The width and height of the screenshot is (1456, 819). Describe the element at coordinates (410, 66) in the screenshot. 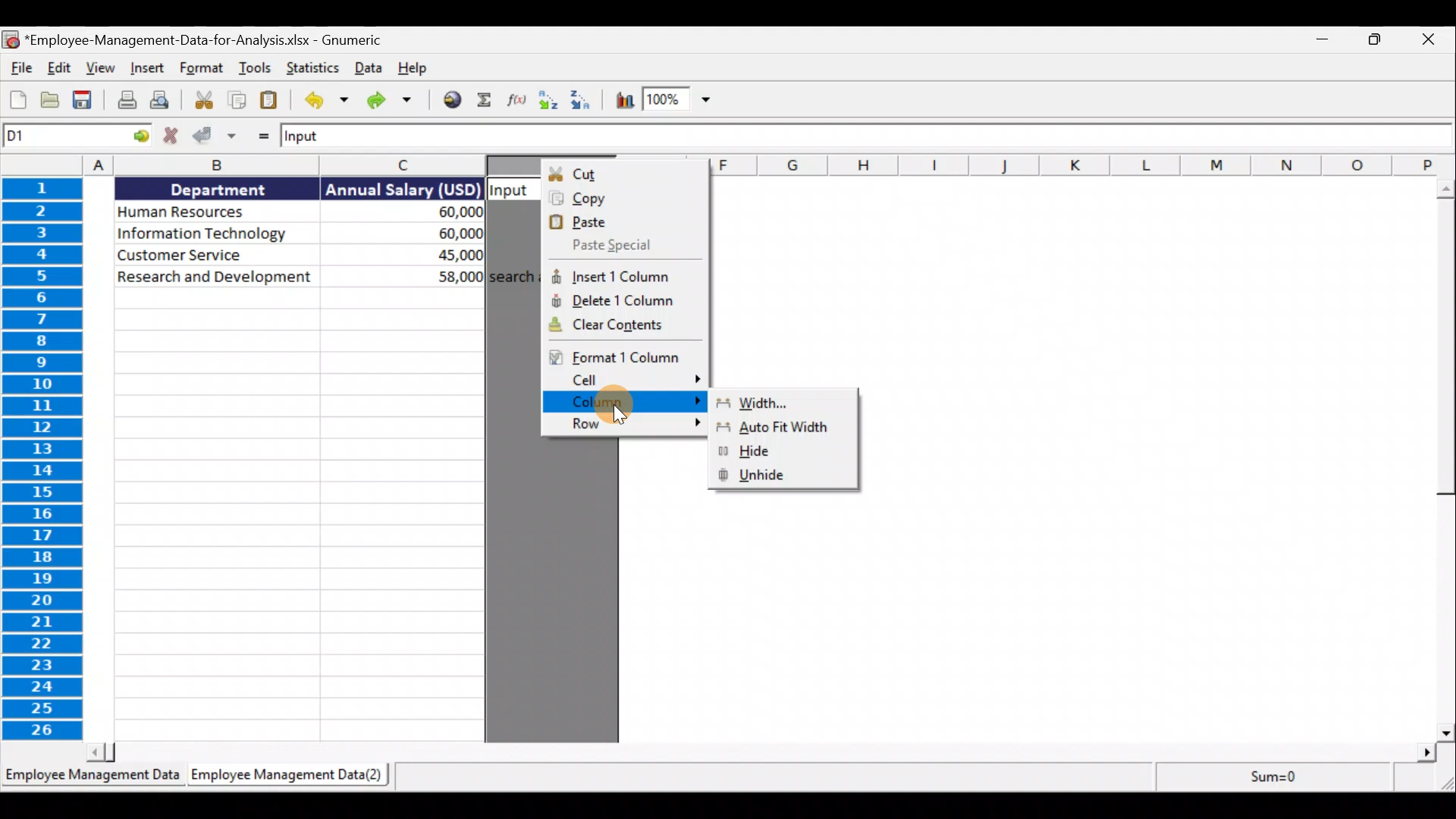

I see `Help` at that location.